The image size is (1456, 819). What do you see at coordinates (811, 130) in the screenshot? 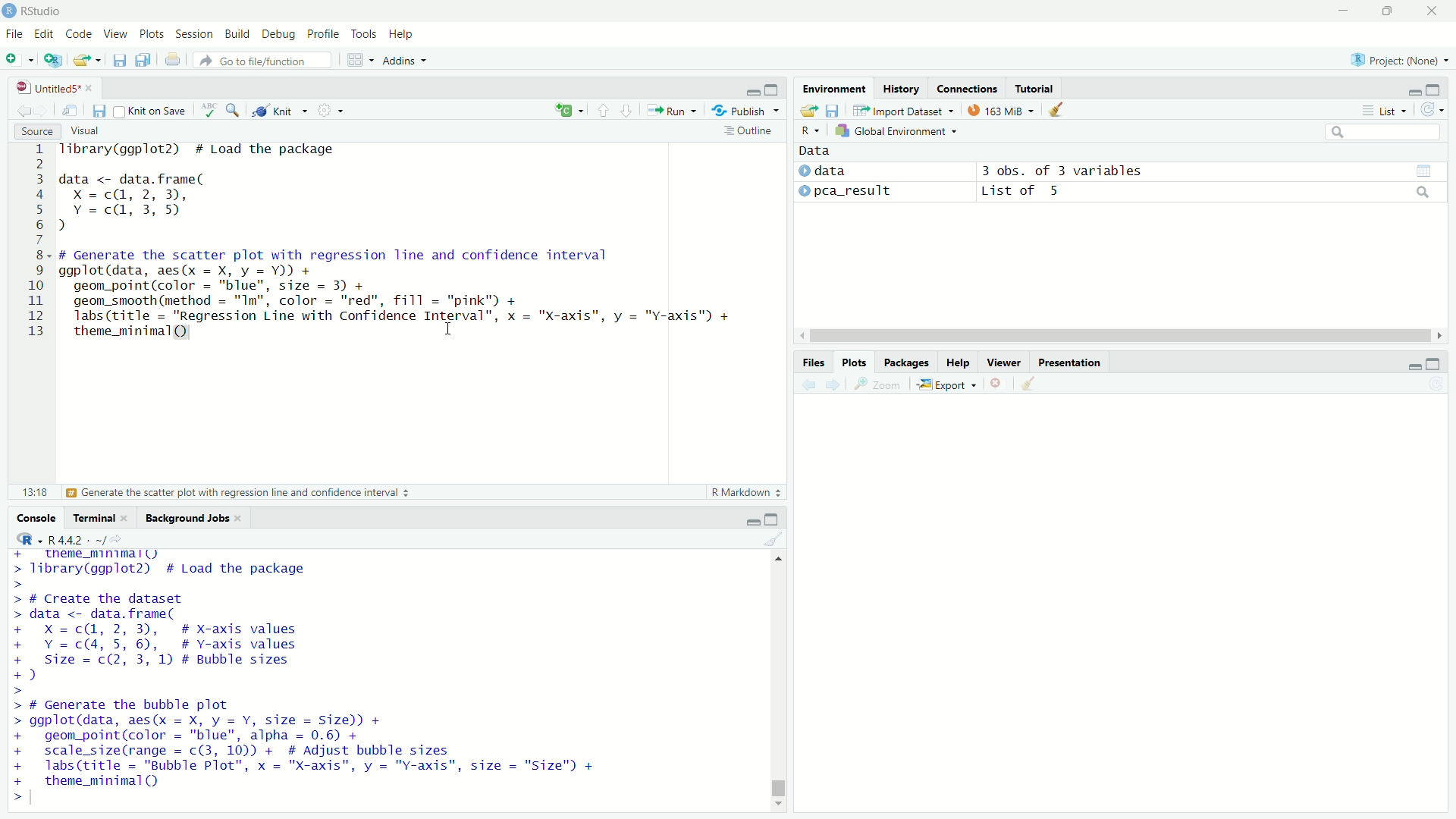
I see `R` at bounding box center [811, 130].